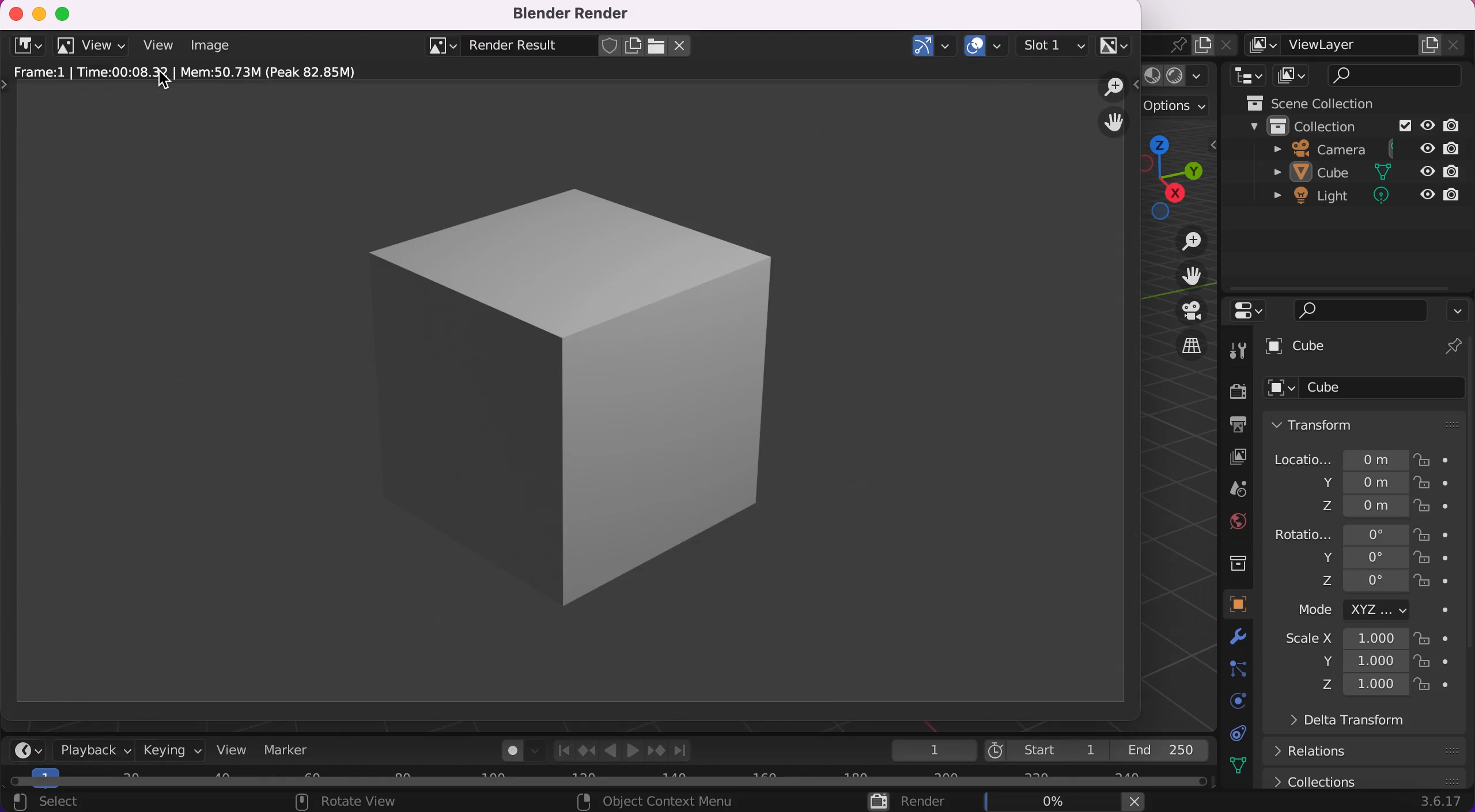 The image size is (1475, 812). What do you see at coordinates (1432, 460) in the screenshot?
I see `lock` at bounding box center [1432, 460].